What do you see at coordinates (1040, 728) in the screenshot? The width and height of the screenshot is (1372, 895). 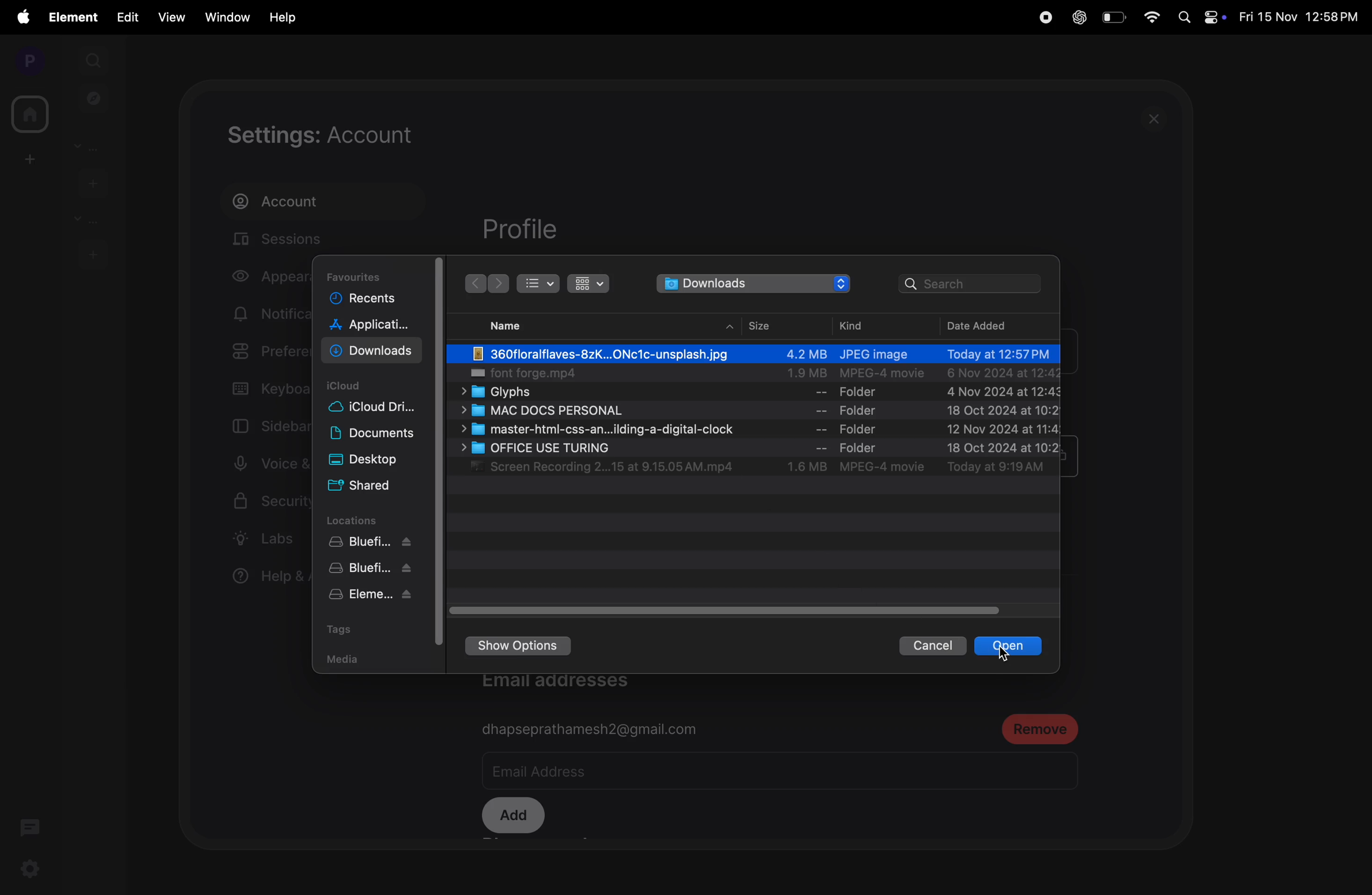 I see `remove` at bounding box center [1040, 728].